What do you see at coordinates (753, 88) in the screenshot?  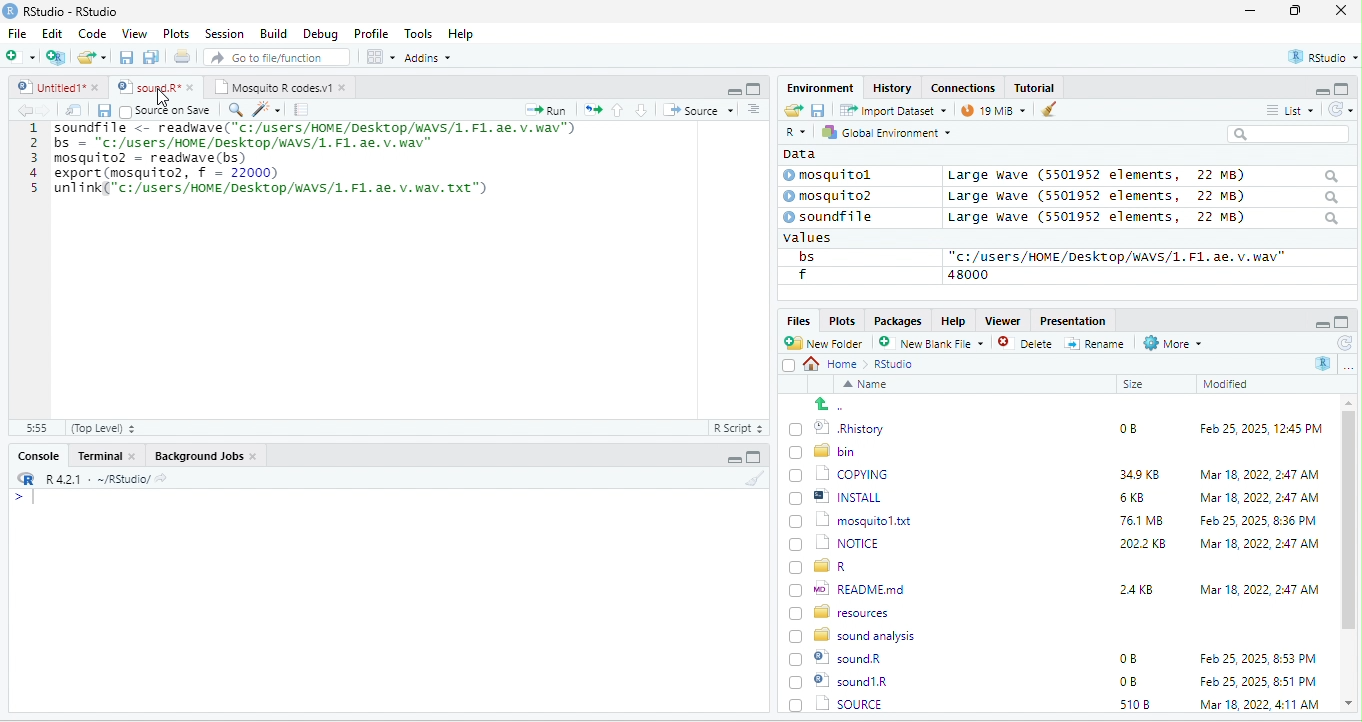 I see `maximize` at bounding box center [753, 88].